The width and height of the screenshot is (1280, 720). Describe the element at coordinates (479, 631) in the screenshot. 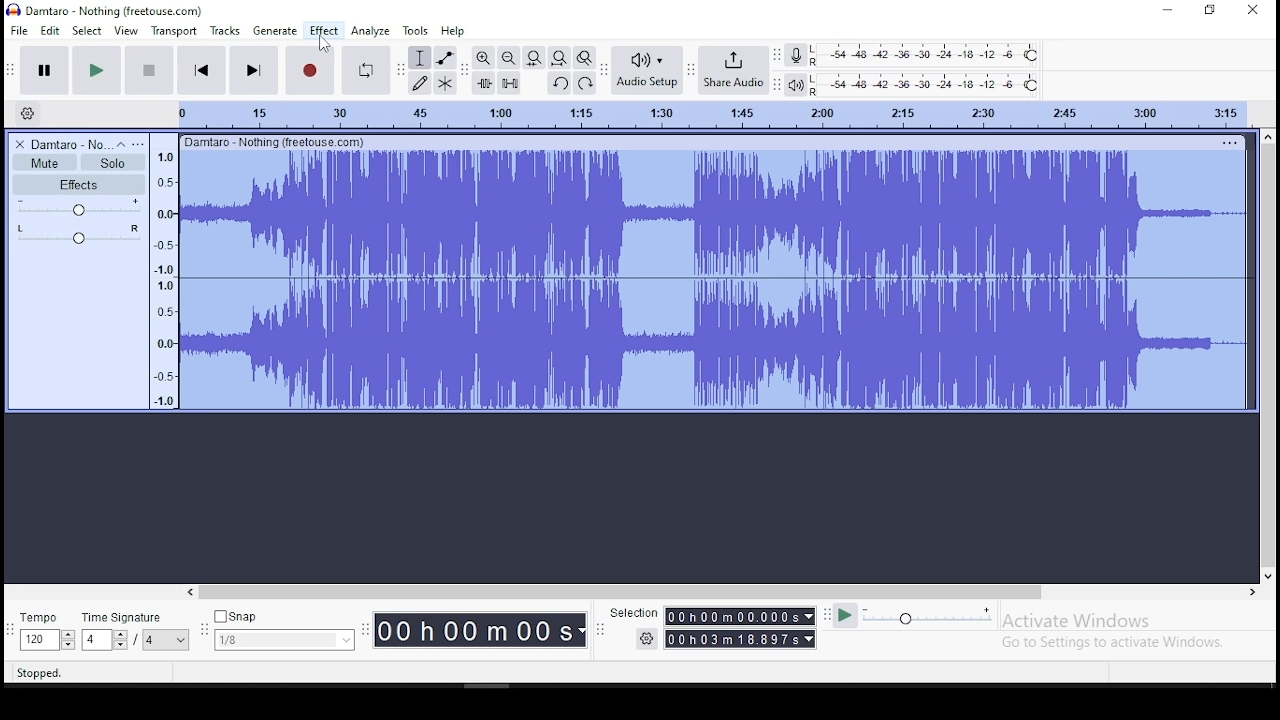

I see `00 h 00 m 00 s` at that location.